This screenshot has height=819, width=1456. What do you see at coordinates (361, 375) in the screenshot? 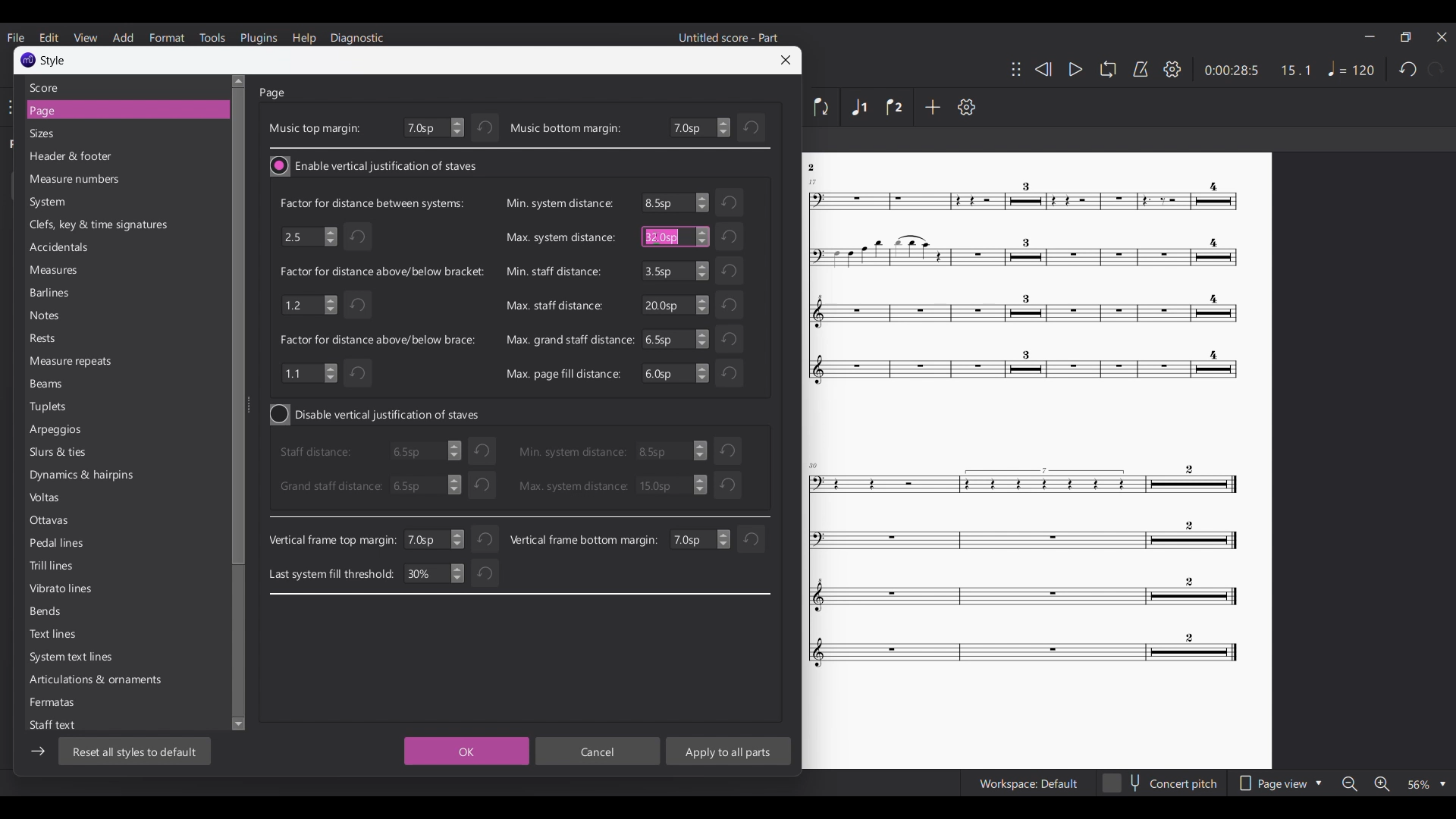
I see `Undo` at bounding box center [361, 375].